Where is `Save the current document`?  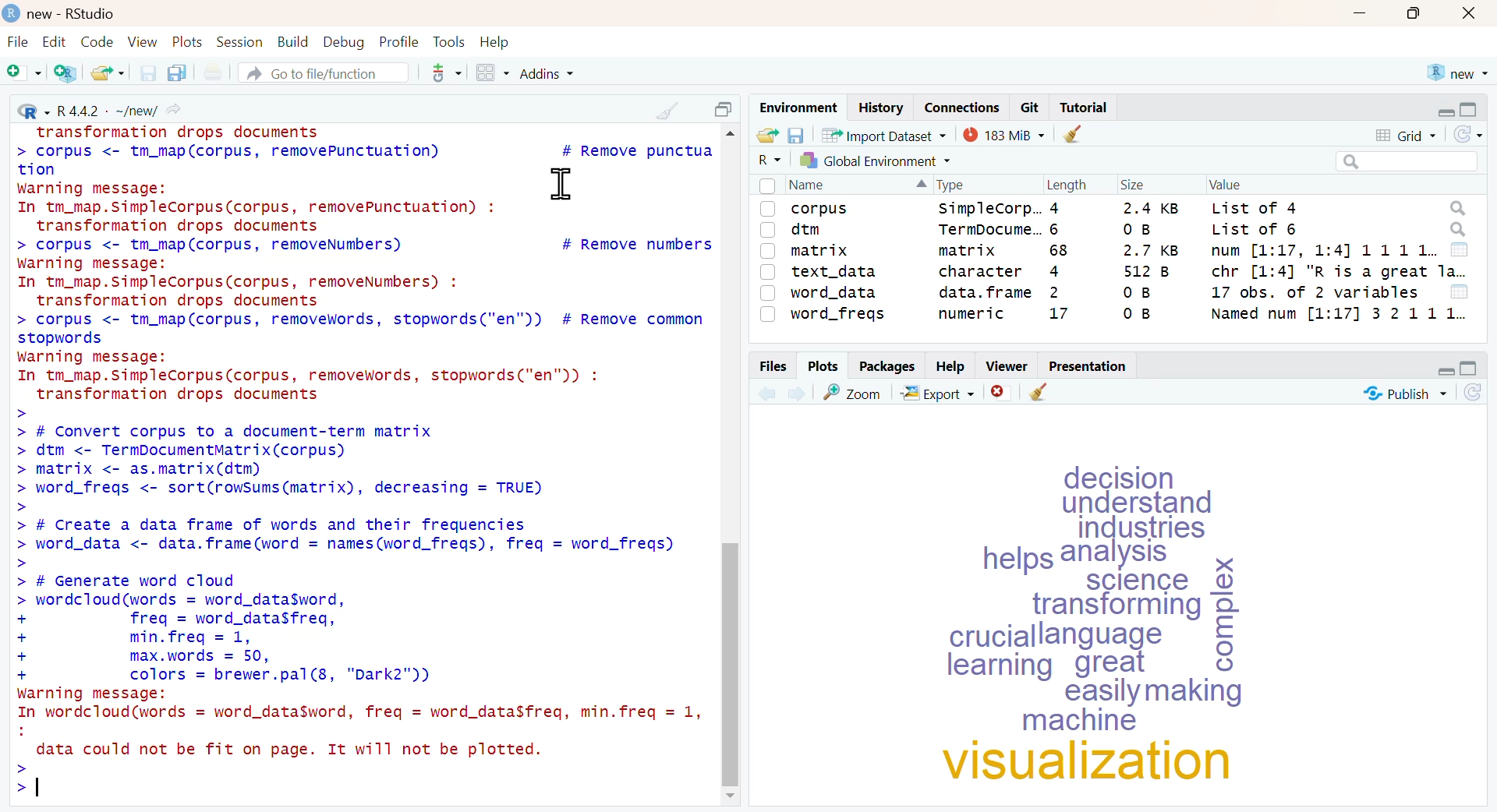 Save the current document is located at coordinates (149, 72).